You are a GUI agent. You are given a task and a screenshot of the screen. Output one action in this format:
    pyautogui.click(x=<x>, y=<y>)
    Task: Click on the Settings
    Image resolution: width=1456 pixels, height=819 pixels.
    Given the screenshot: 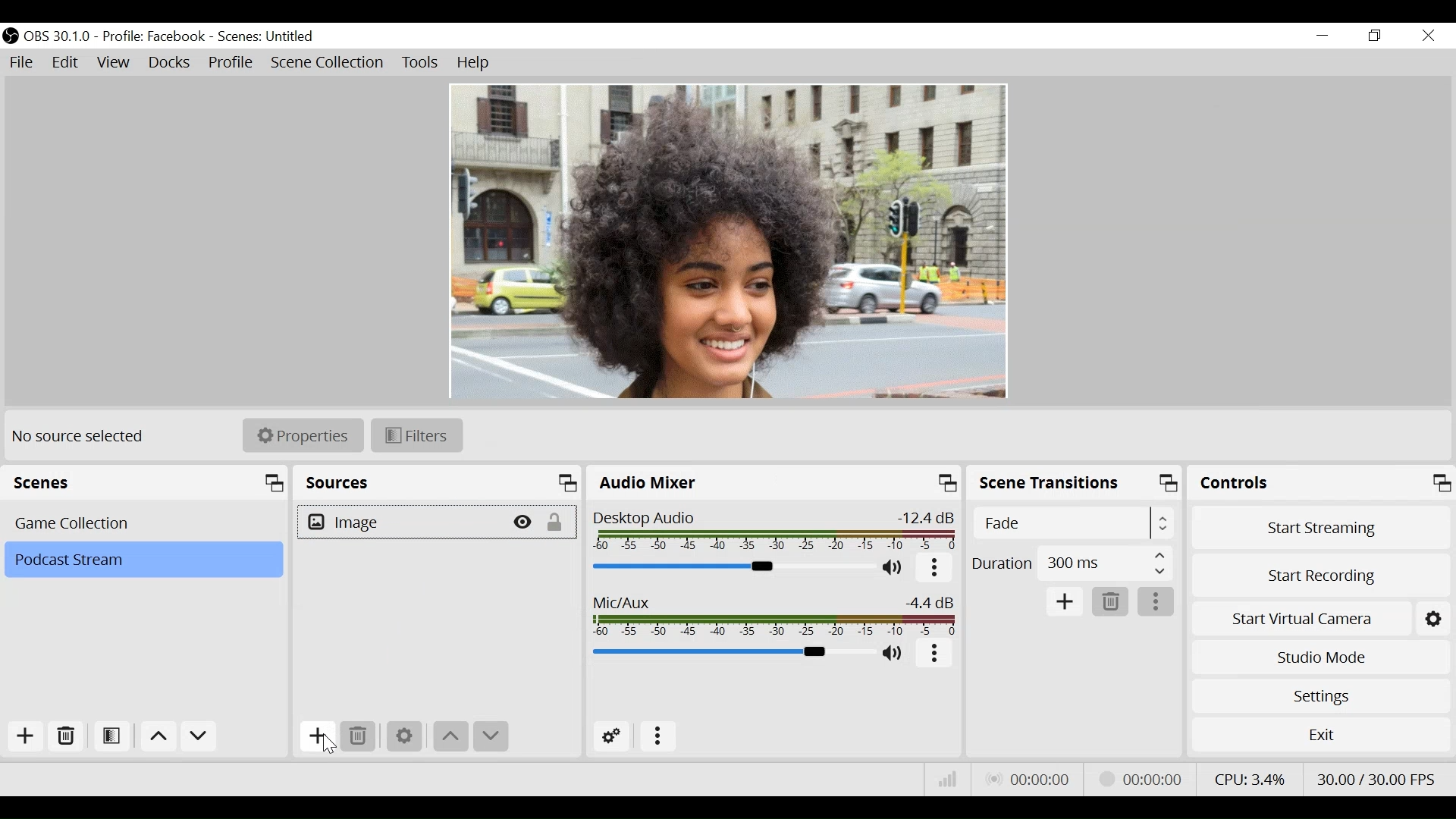 What is the action you would take?
    pyautogui.click(x=1320, y=695)
    